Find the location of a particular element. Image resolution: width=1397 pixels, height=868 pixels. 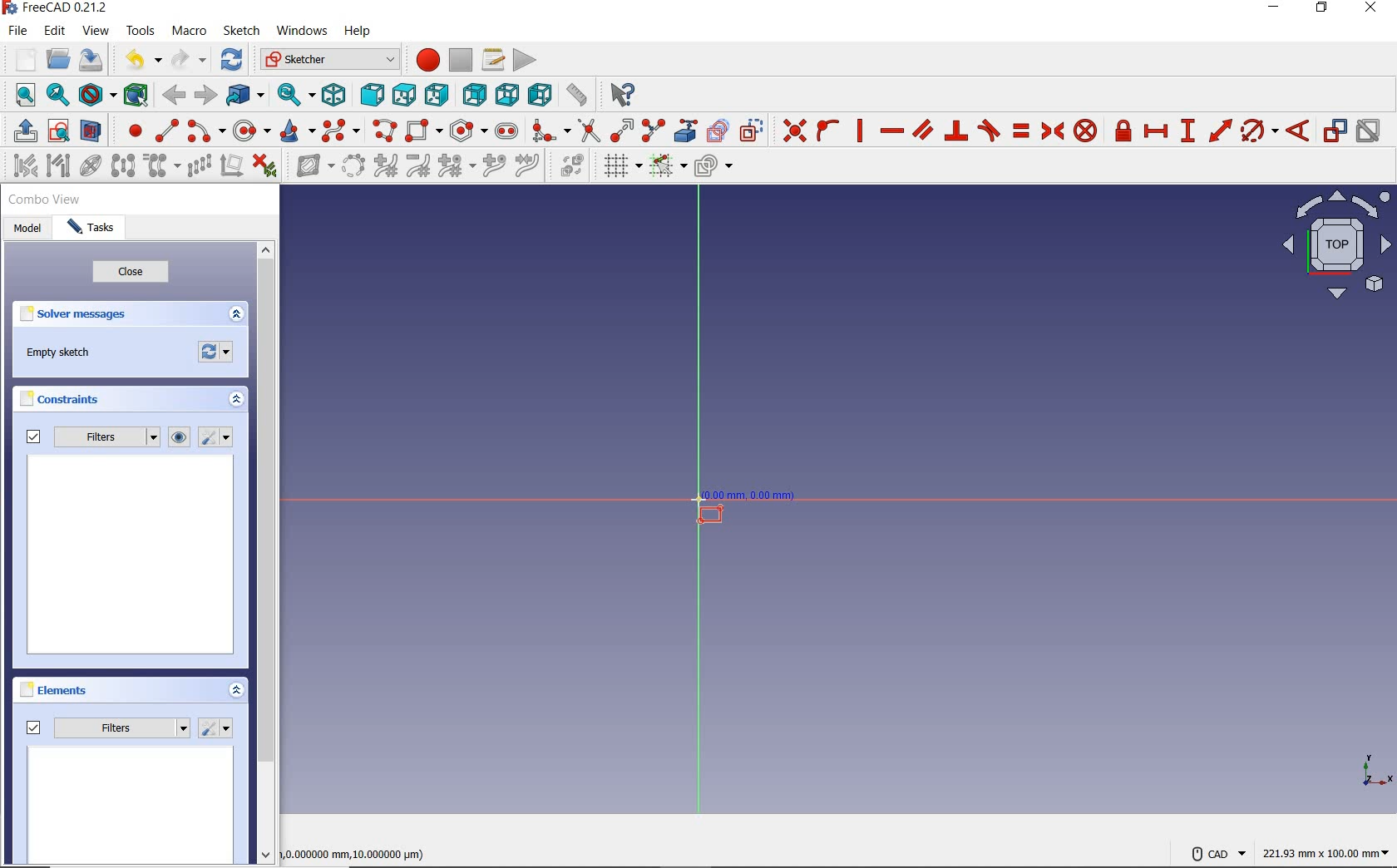

view sketch is located at coordinates (59, 131).